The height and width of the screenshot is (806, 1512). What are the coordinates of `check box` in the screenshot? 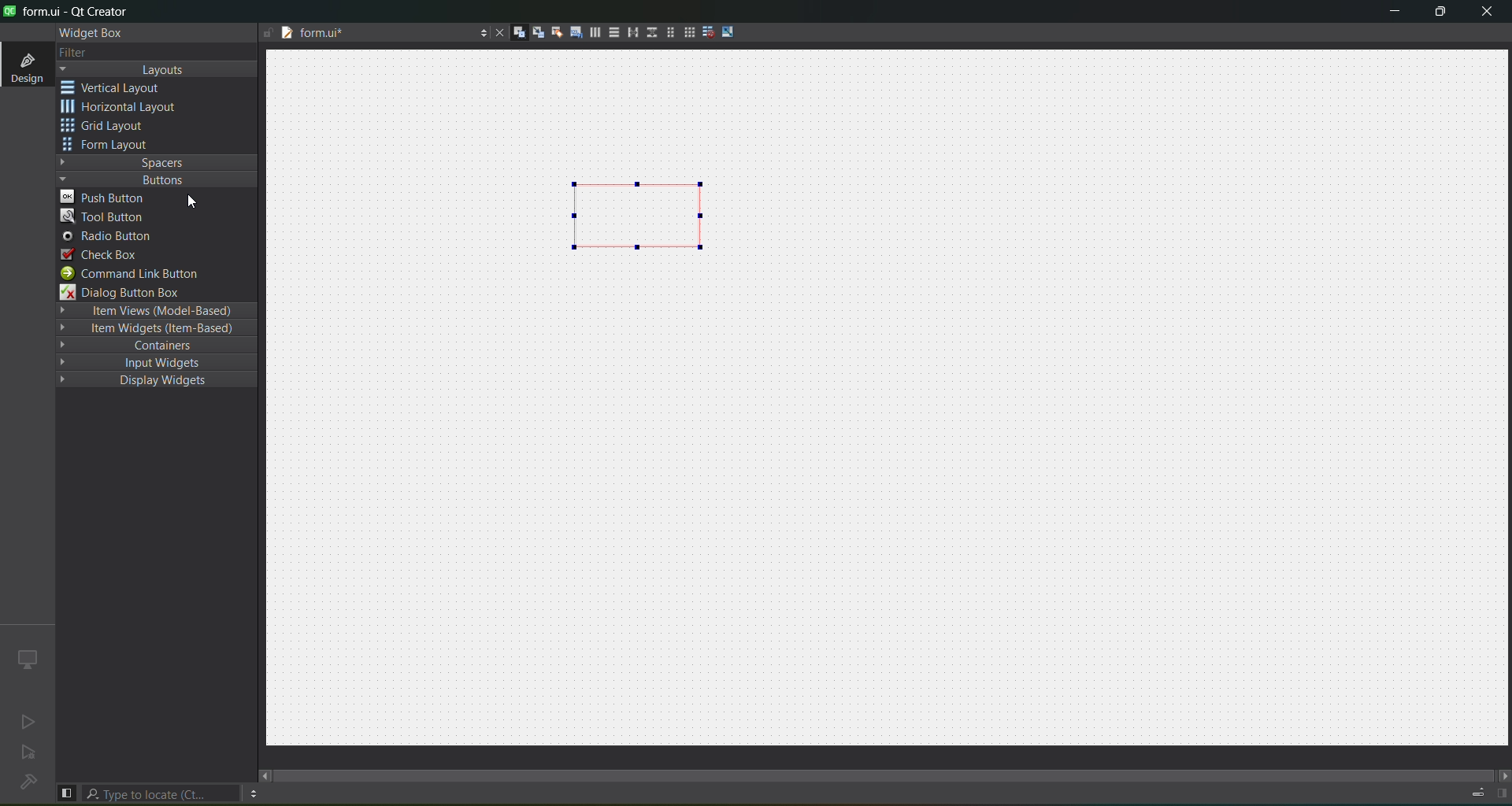 It's located at (101, 254).